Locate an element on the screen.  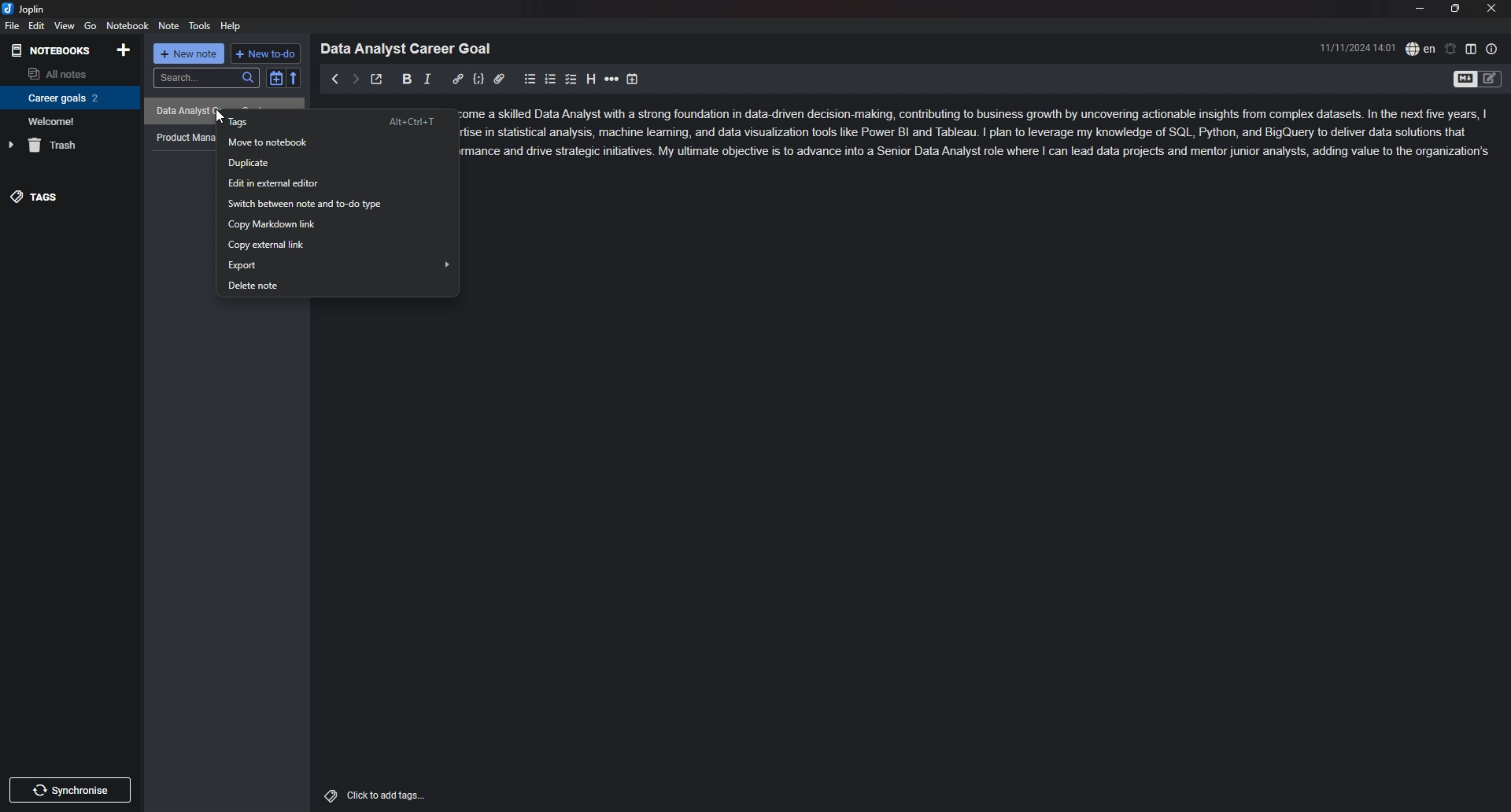
next is located at coordinates (355, 79).